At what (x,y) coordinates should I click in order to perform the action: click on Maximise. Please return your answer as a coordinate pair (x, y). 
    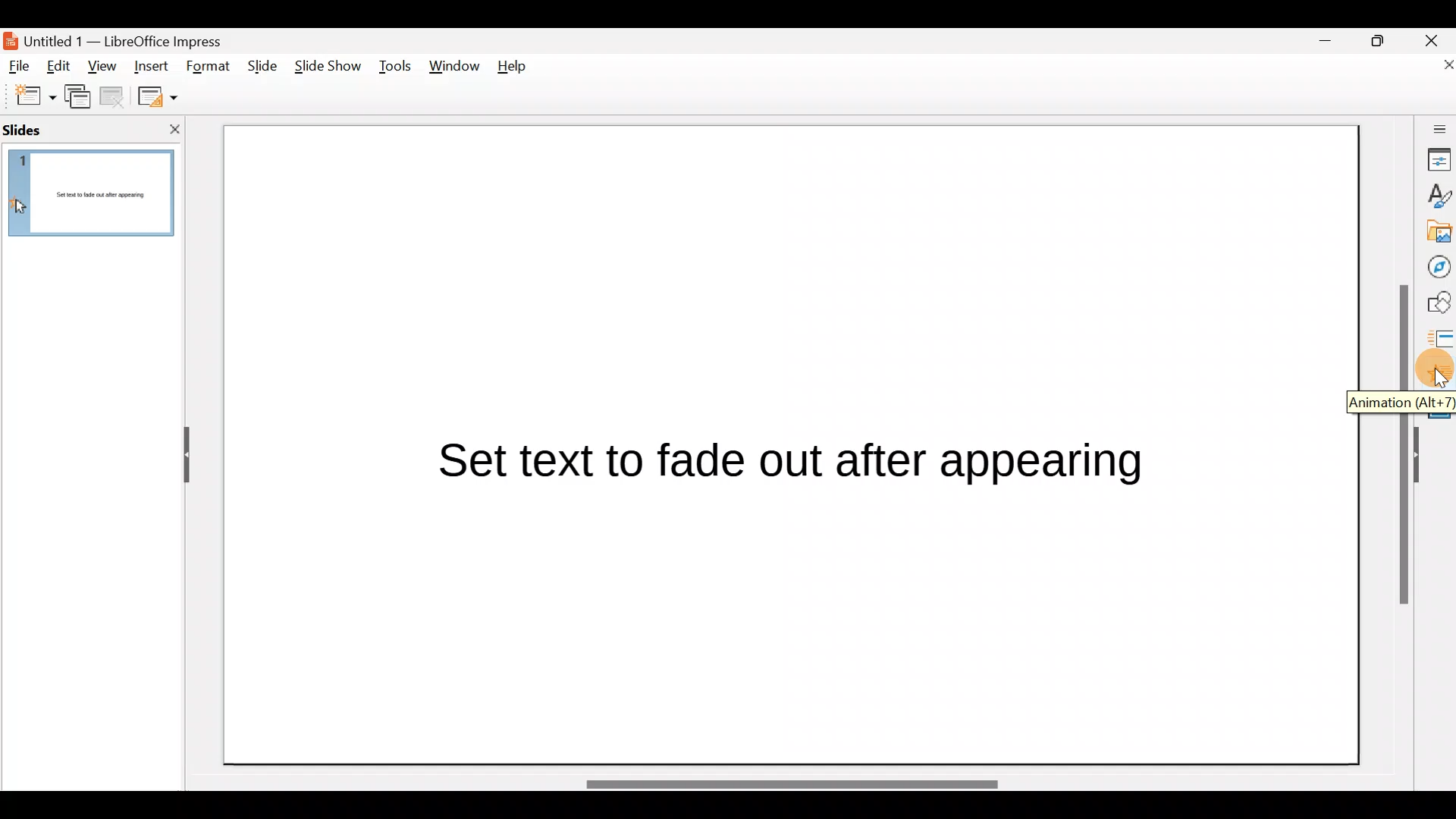
    Looking at the image, I should click on (1383, 41).